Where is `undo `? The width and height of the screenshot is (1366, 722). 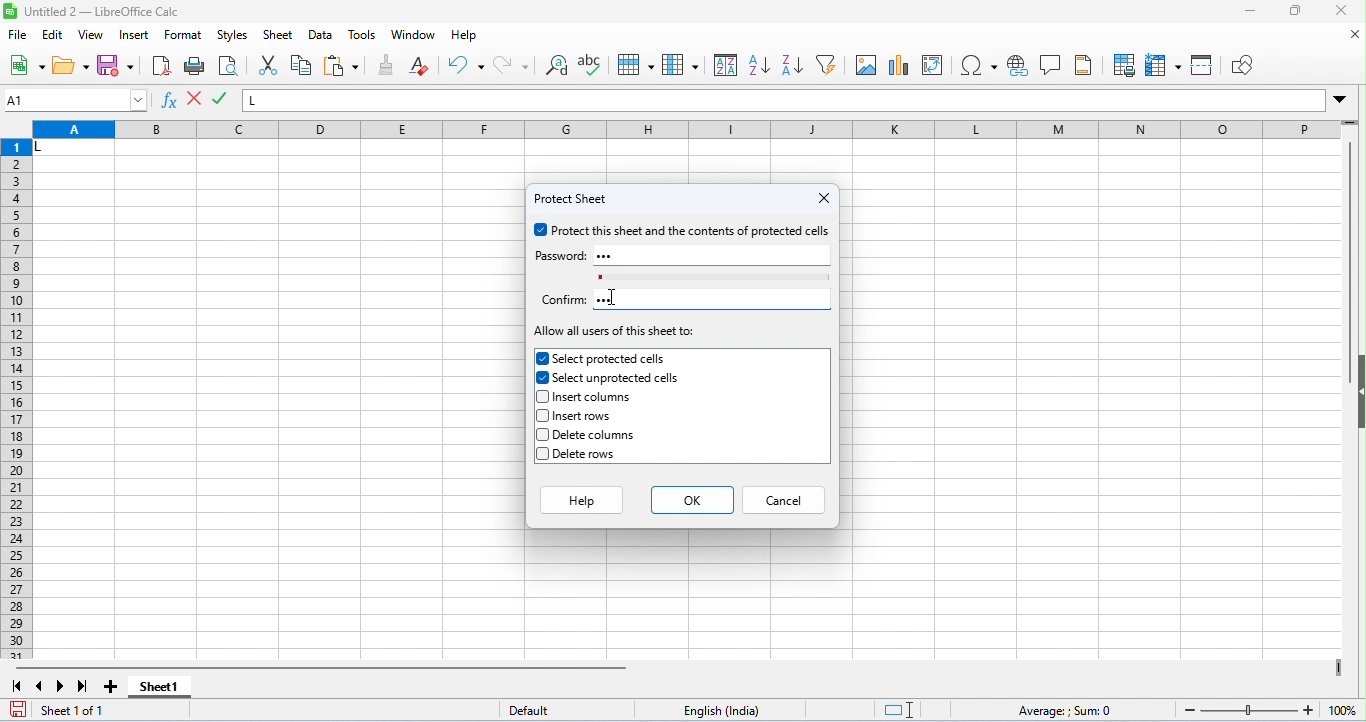 undo  is located at coordinates (466, 65).